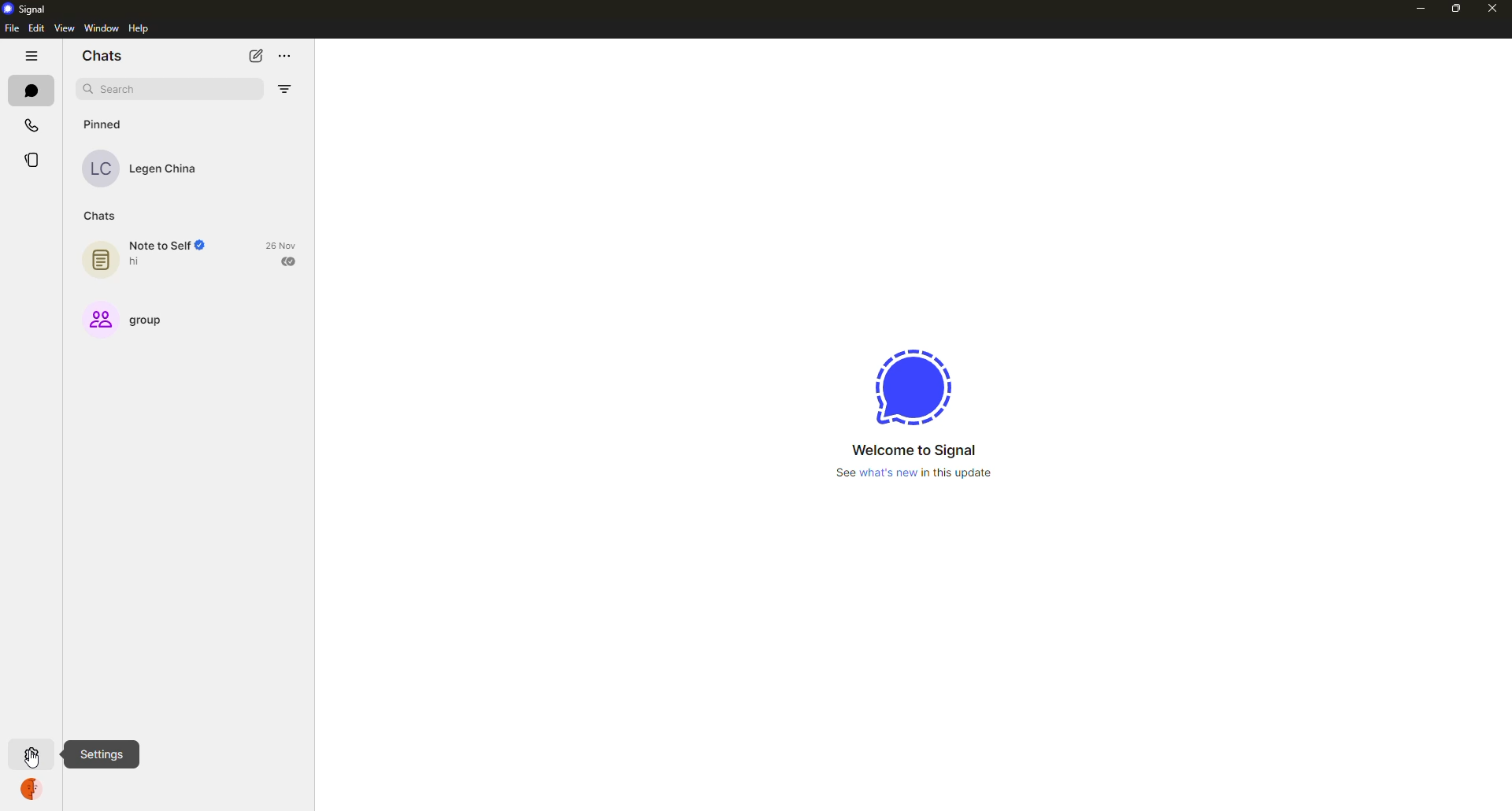 This screenshot has height=811, width=1512. What do you see at coordinates (169, 246) in the screenshot?
I see `Note to Self` at bounding box center [169, 246].